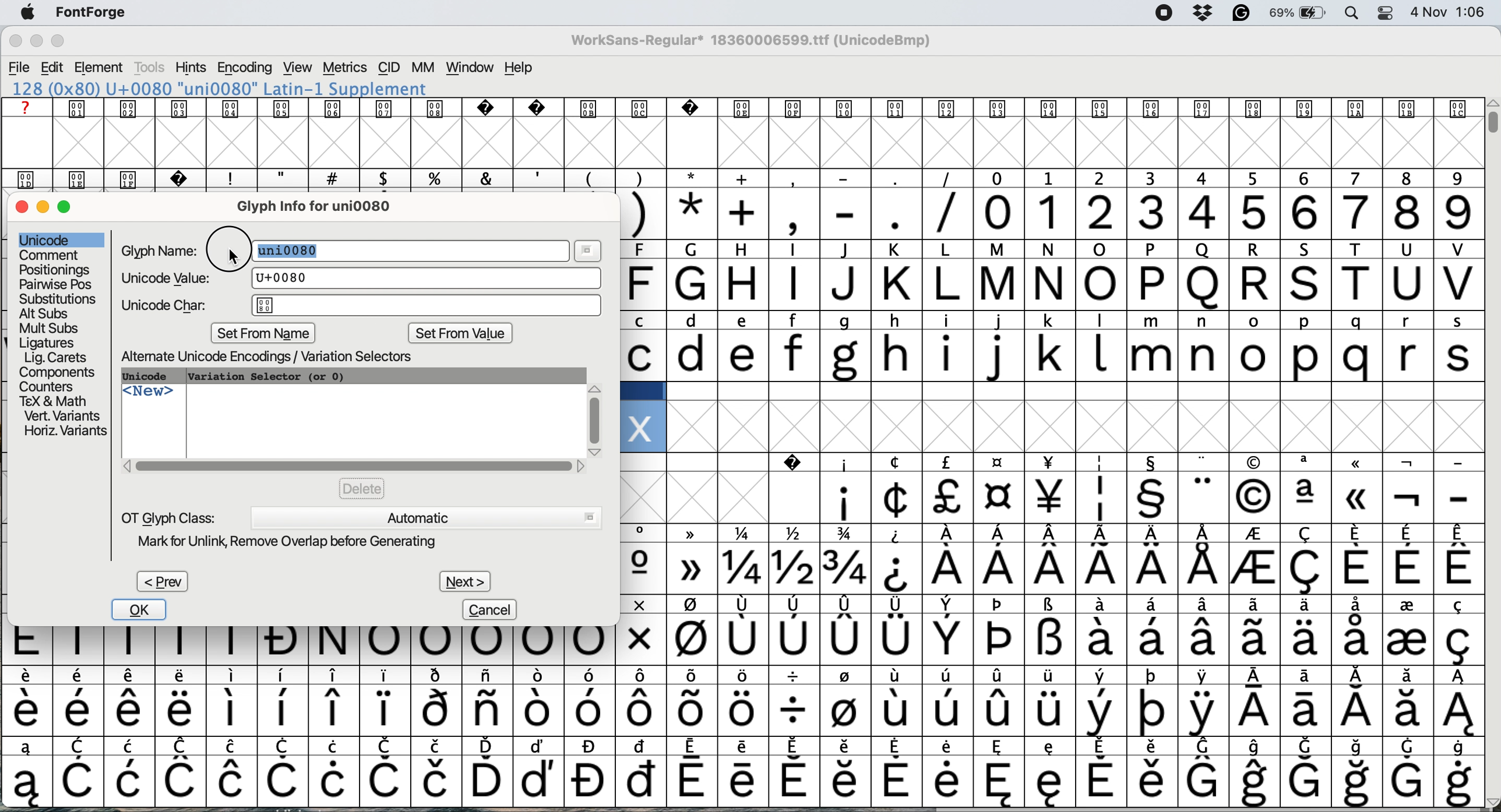  Describe the element at coordinates (47, 328) in the screenshot. I see `mult subs` at that location.